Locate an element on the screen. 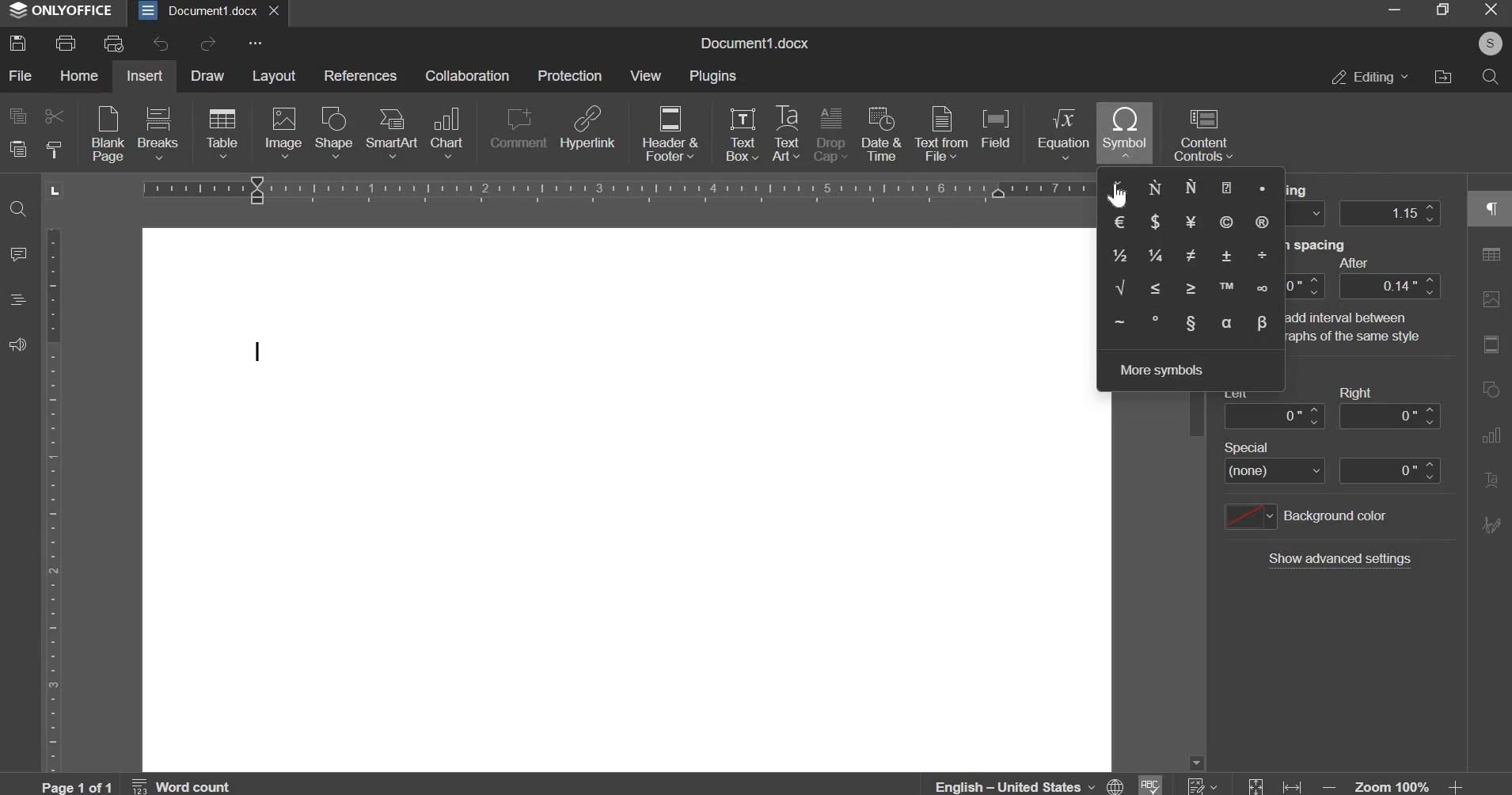 This screenshot has height=795, width=1512. home is located at coordinates (78, 75).